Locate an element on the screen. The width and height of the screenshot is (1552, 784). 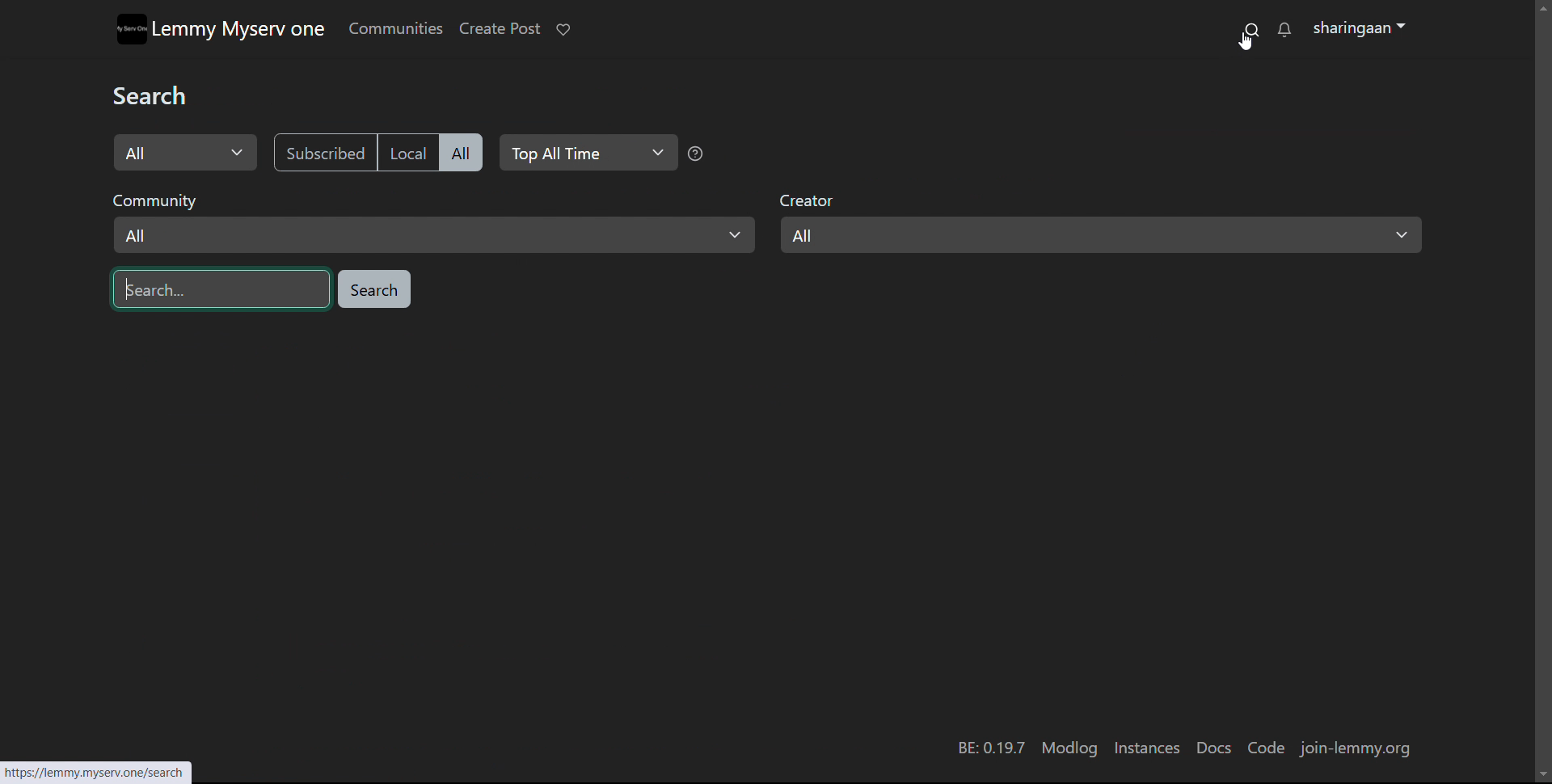
subscribed is located at coordinates (323, 152).